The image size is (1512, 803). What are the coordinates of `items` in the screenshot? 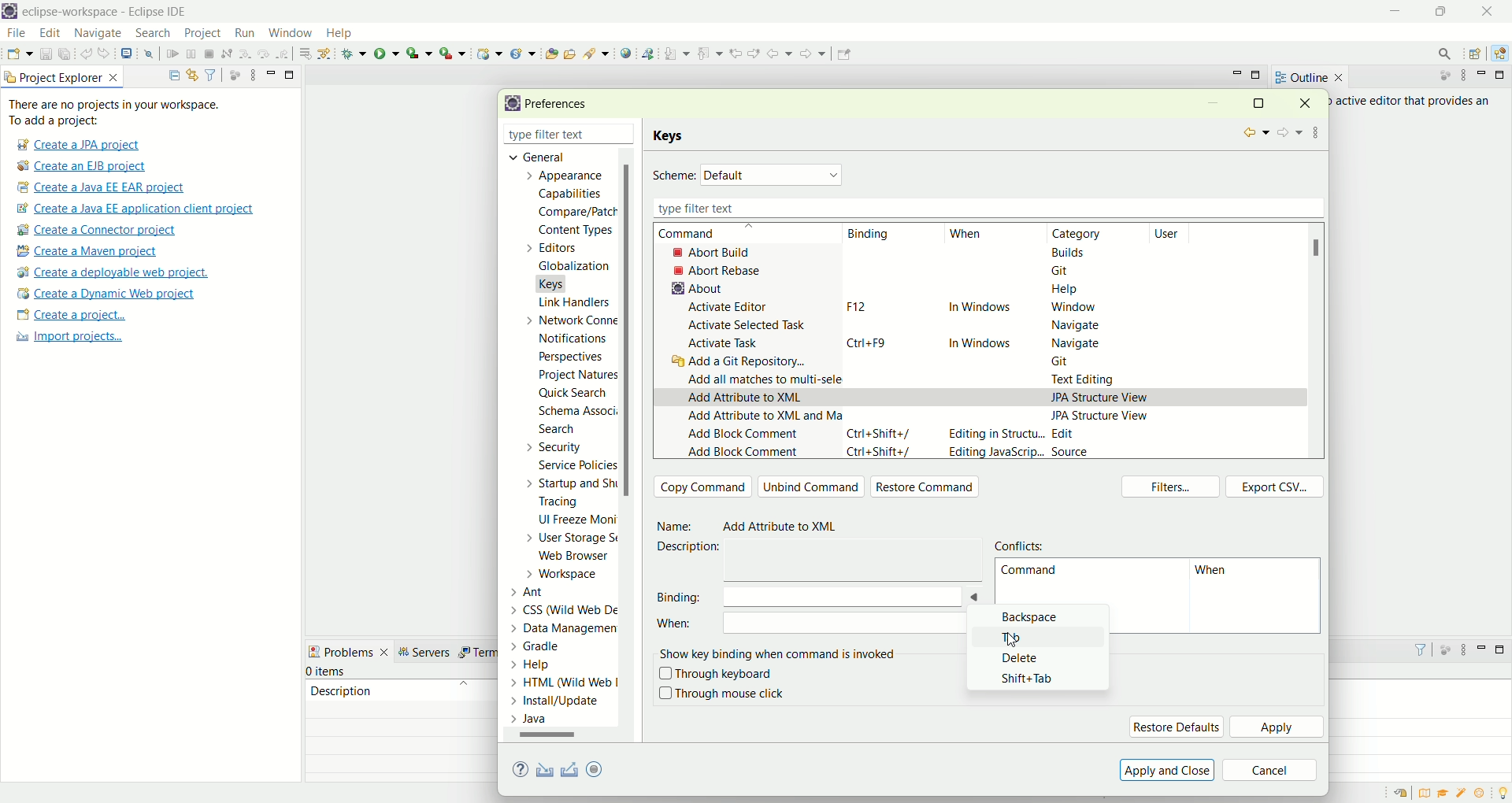 It's located at (328, 672).